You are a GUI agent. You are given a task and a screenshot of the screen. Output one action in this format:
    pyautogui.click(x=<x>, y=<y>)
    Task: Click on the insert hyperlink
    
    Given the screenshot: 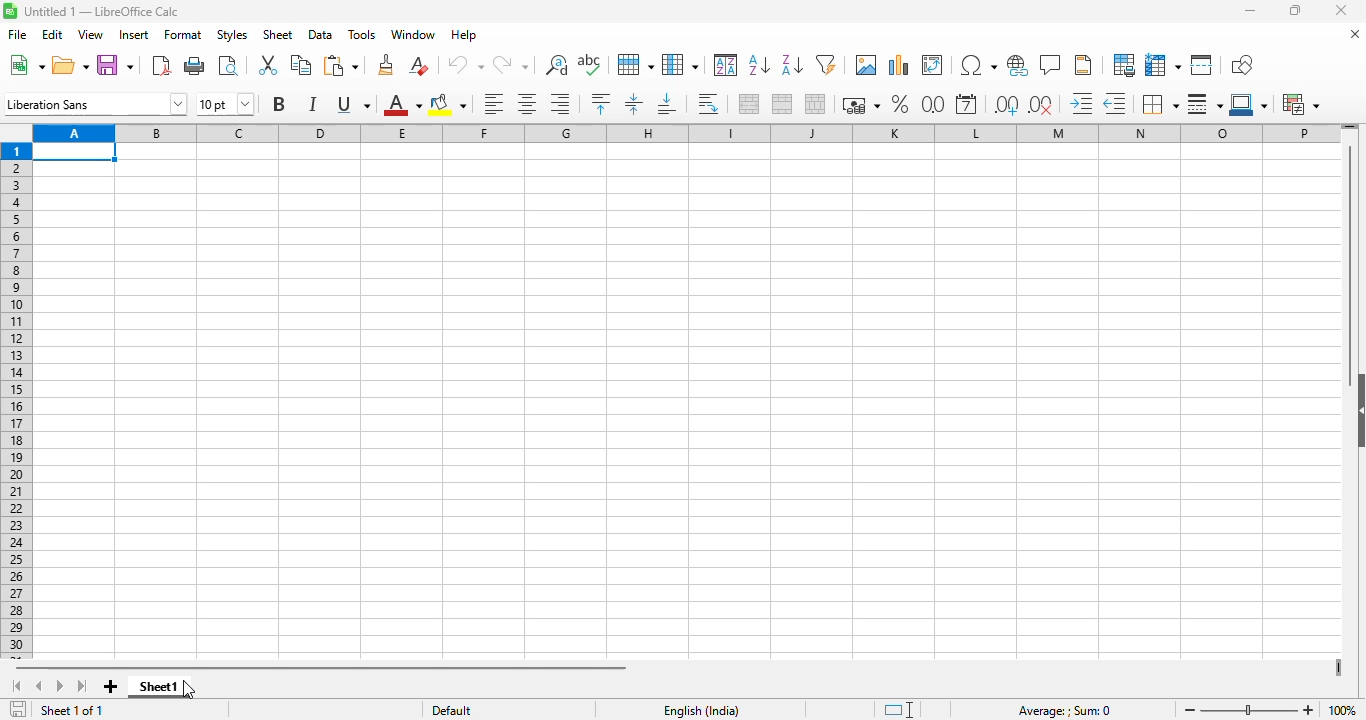 What is the action you would take?
    pyautogui.click(x=1018, y=65)
    